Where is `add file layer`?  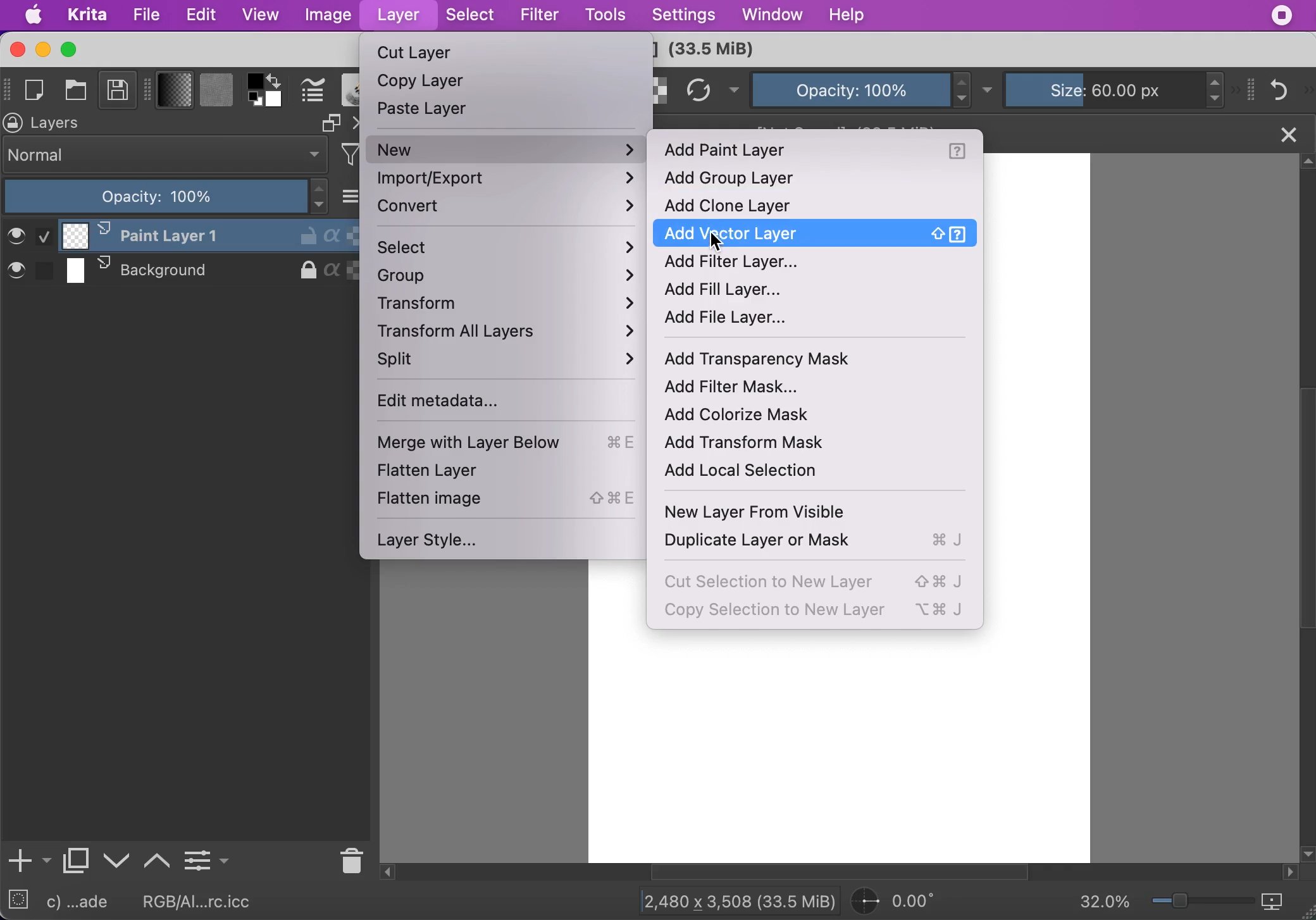
add file layer is located at coordinates (737, 320).